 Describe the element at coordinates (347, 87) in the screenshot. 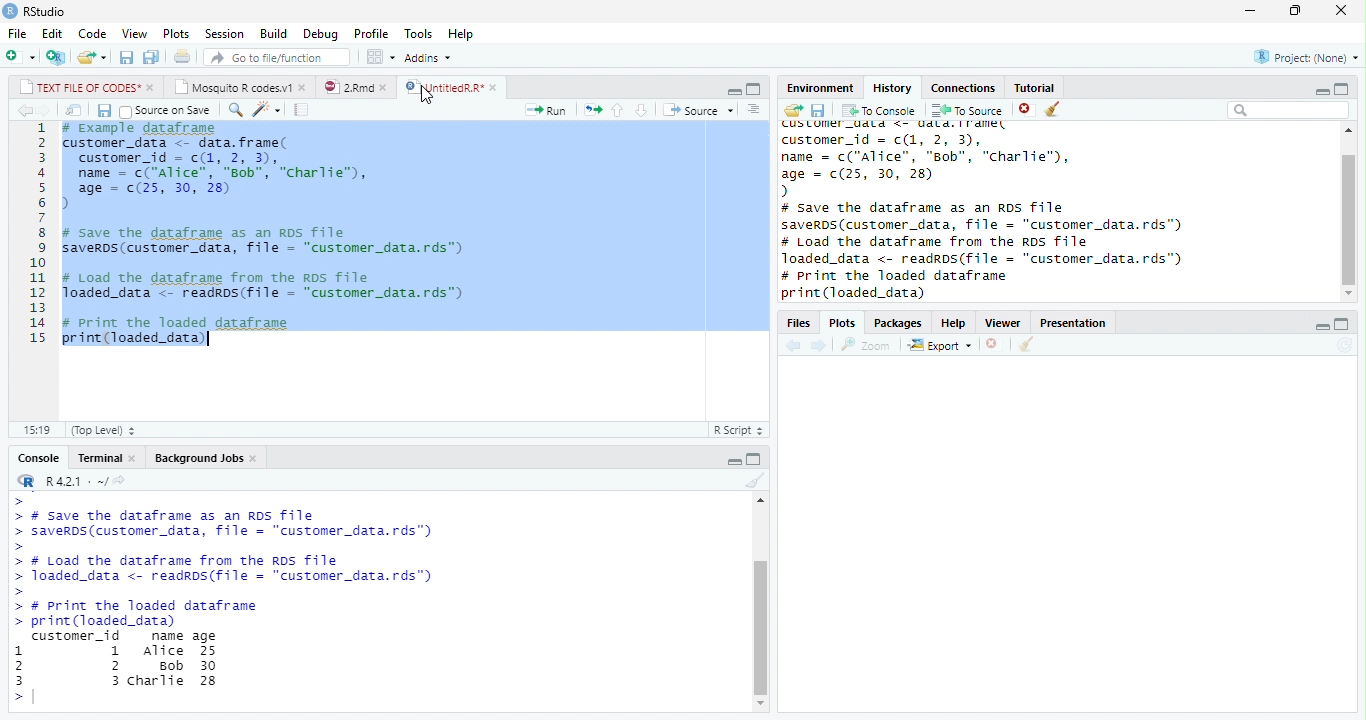

I see `2.Rmd` at that location.